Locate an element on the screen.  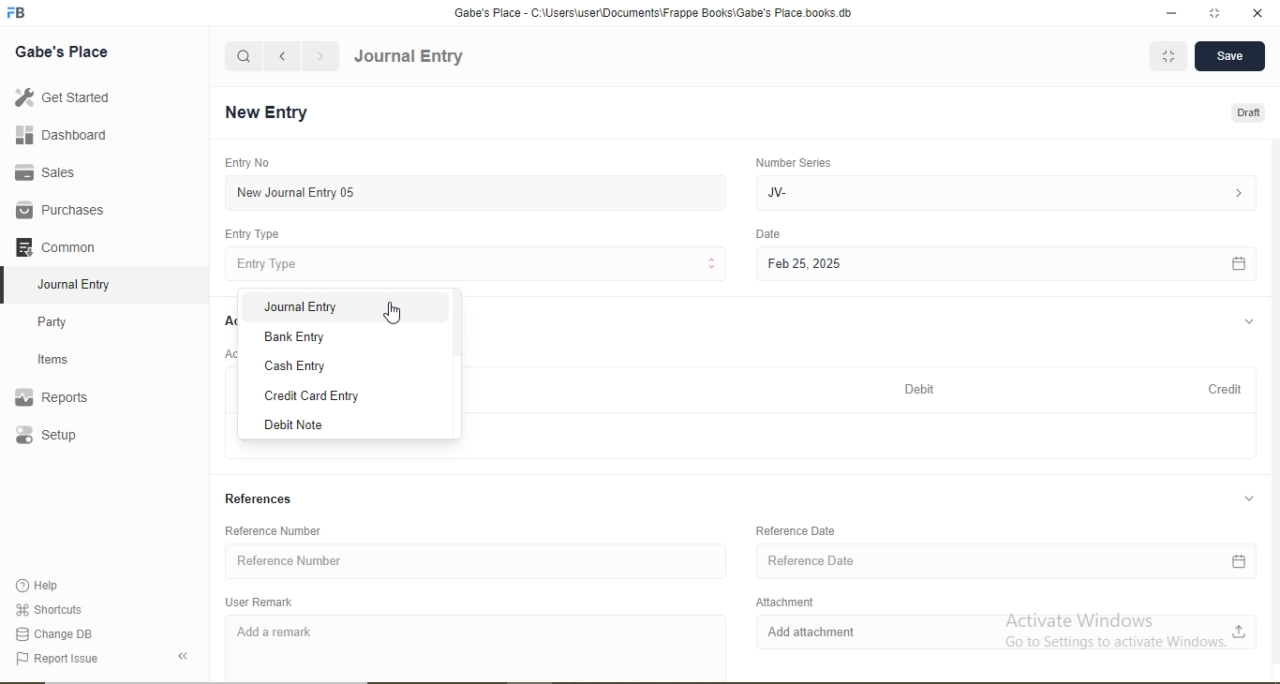
navigate backward is located at coordinates (281, 56).